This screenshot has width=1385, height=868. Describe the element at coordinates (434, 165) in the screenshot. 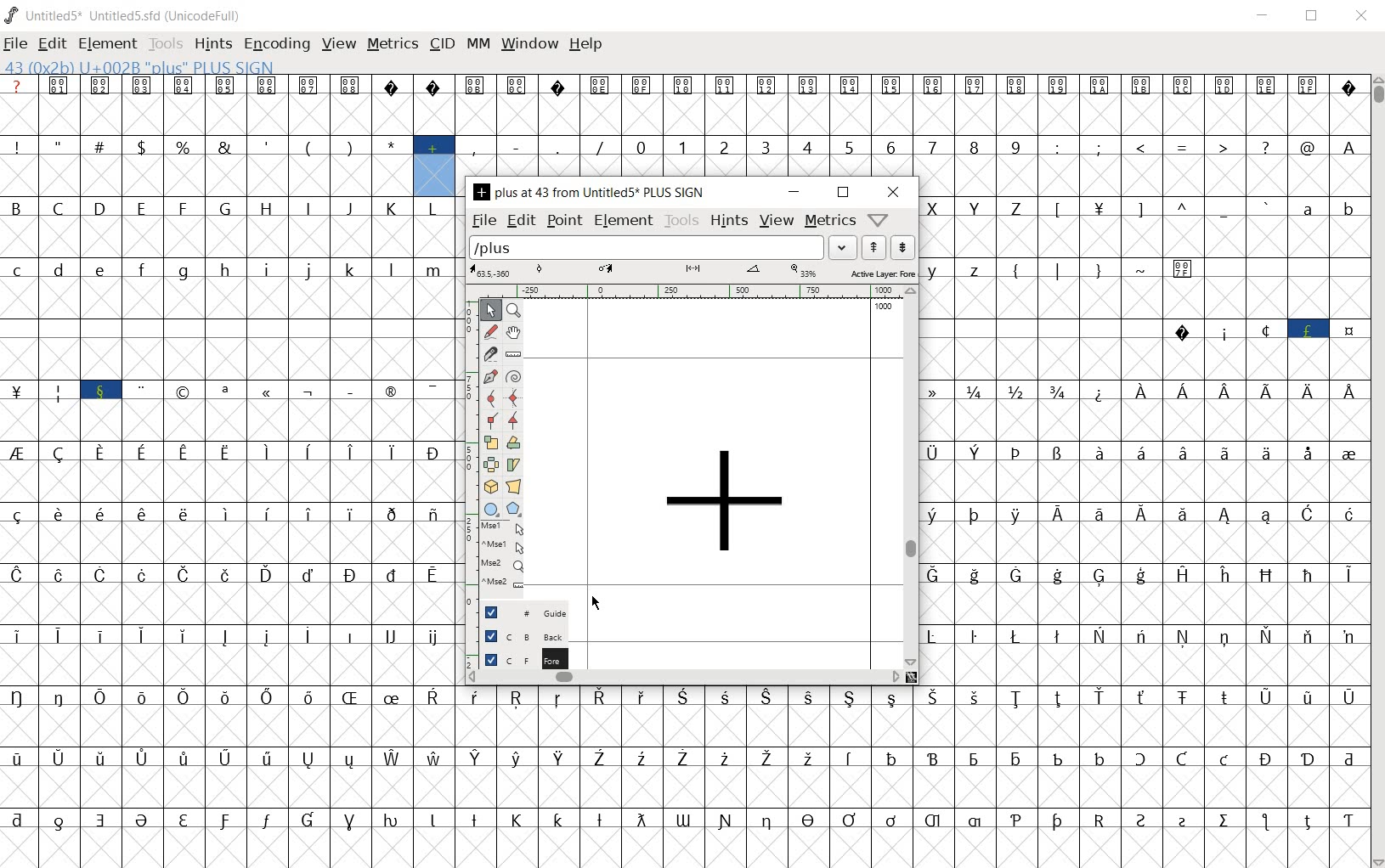

I see `addition` at that location.